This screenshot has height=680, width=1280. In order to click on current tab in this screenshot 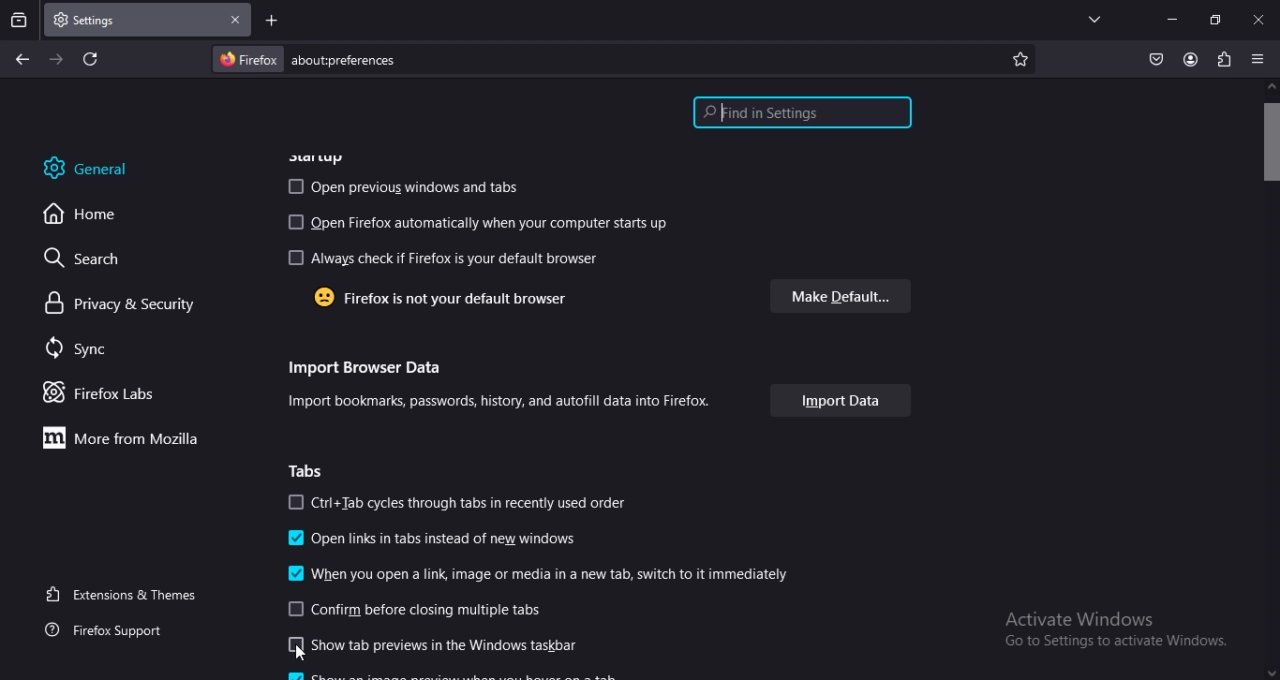, I will do `click(96, 21)`.